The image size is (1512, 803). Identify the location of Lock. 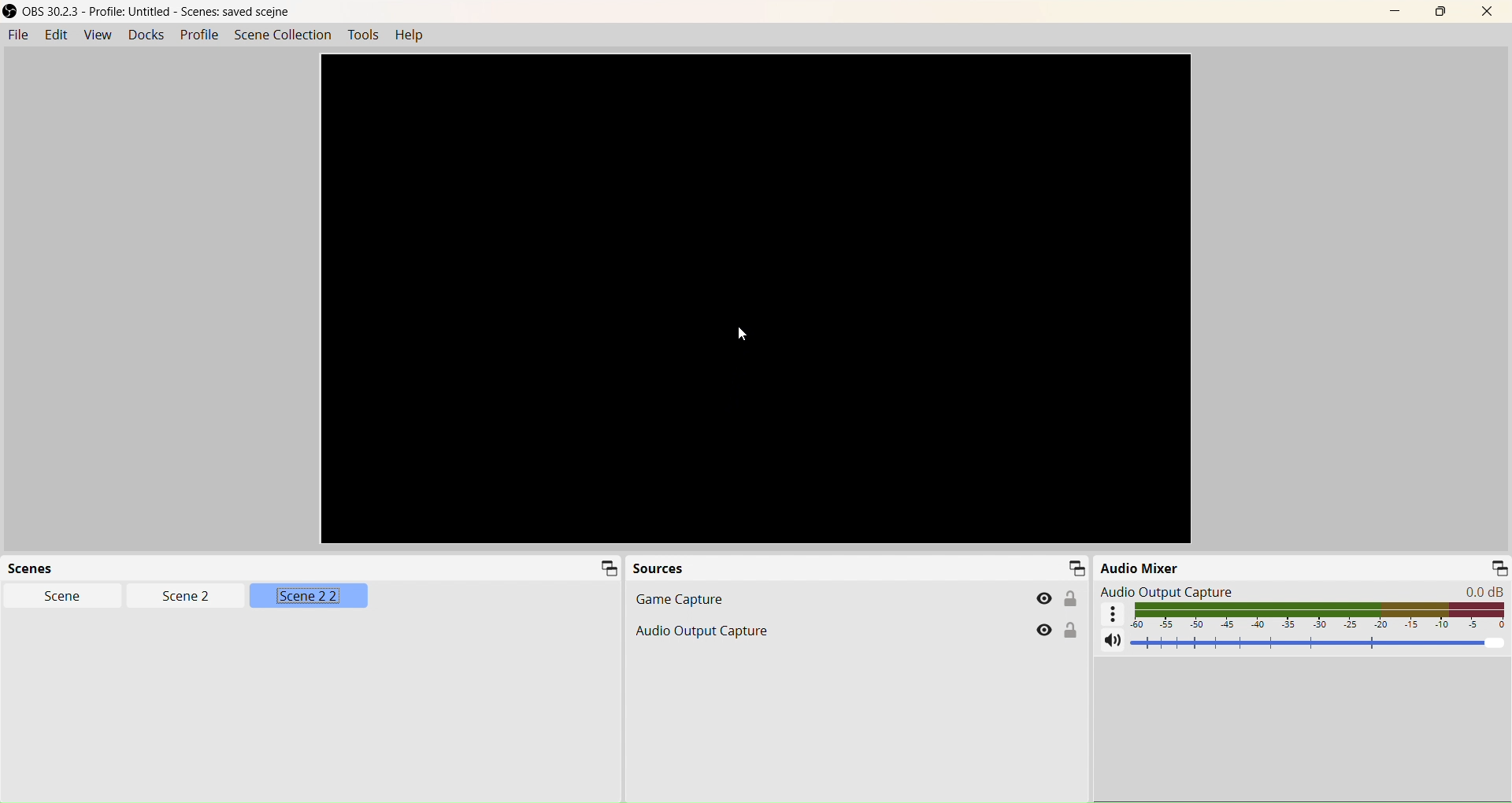
(1071, 629).